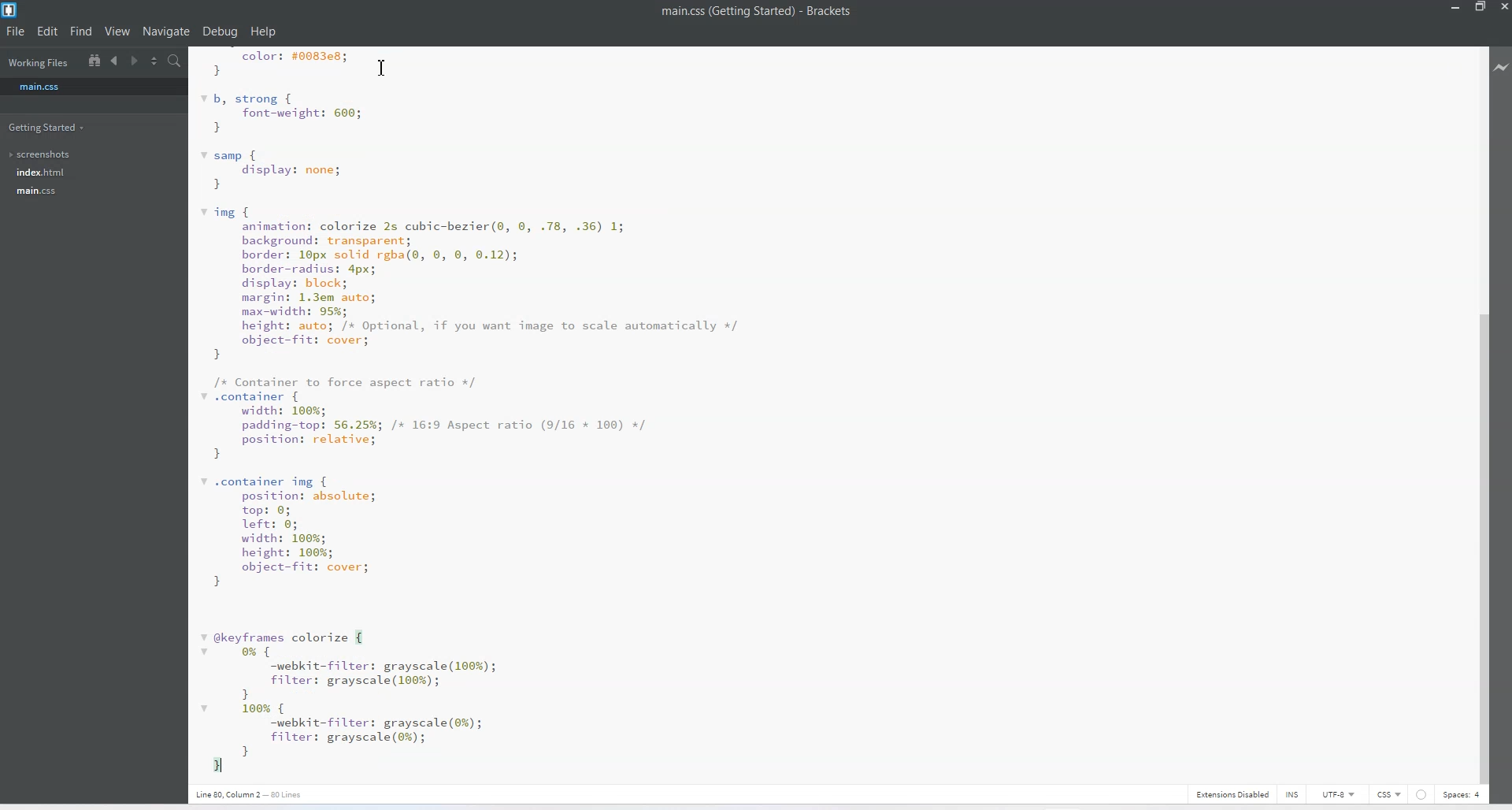 This screenshot has width=1512, height=810. I want to click on Text 3, so click(252, 794).